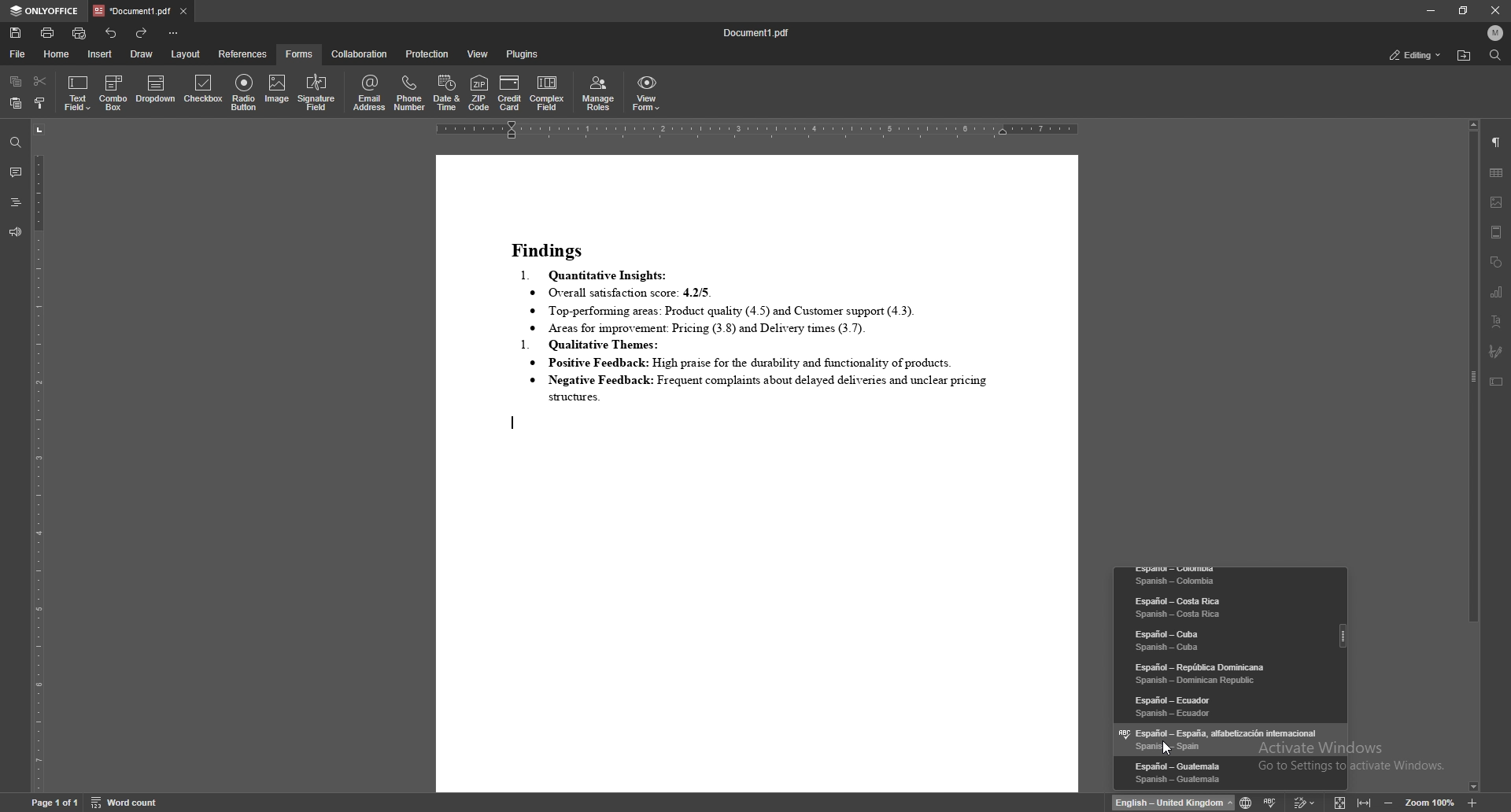  What do you see at coordinates (1497, 232) in the screenshot?
I see `header and footer` at bounding box center [1497, 232].